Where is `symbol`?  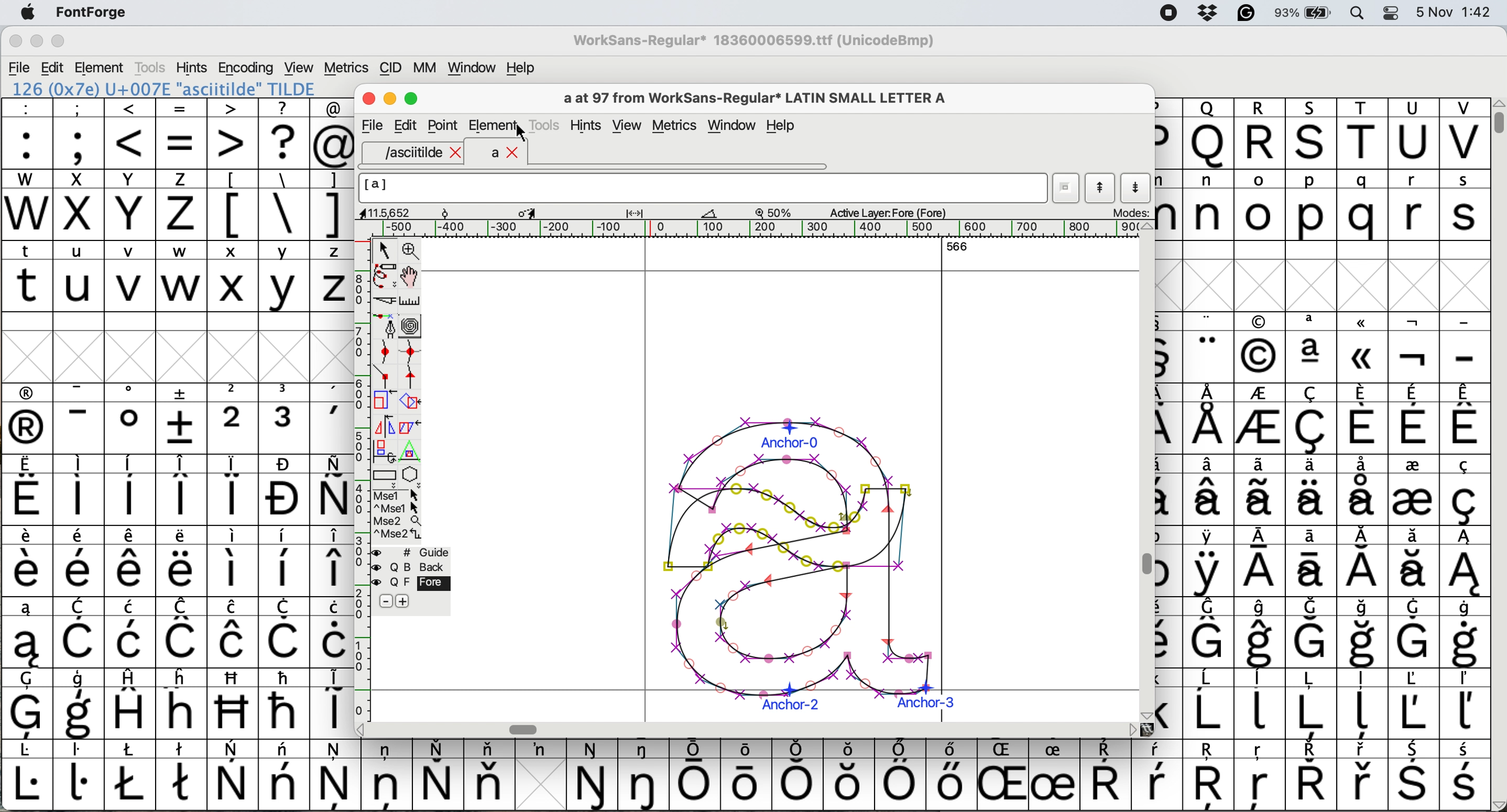 symbol is located at coordinates (130, 490).